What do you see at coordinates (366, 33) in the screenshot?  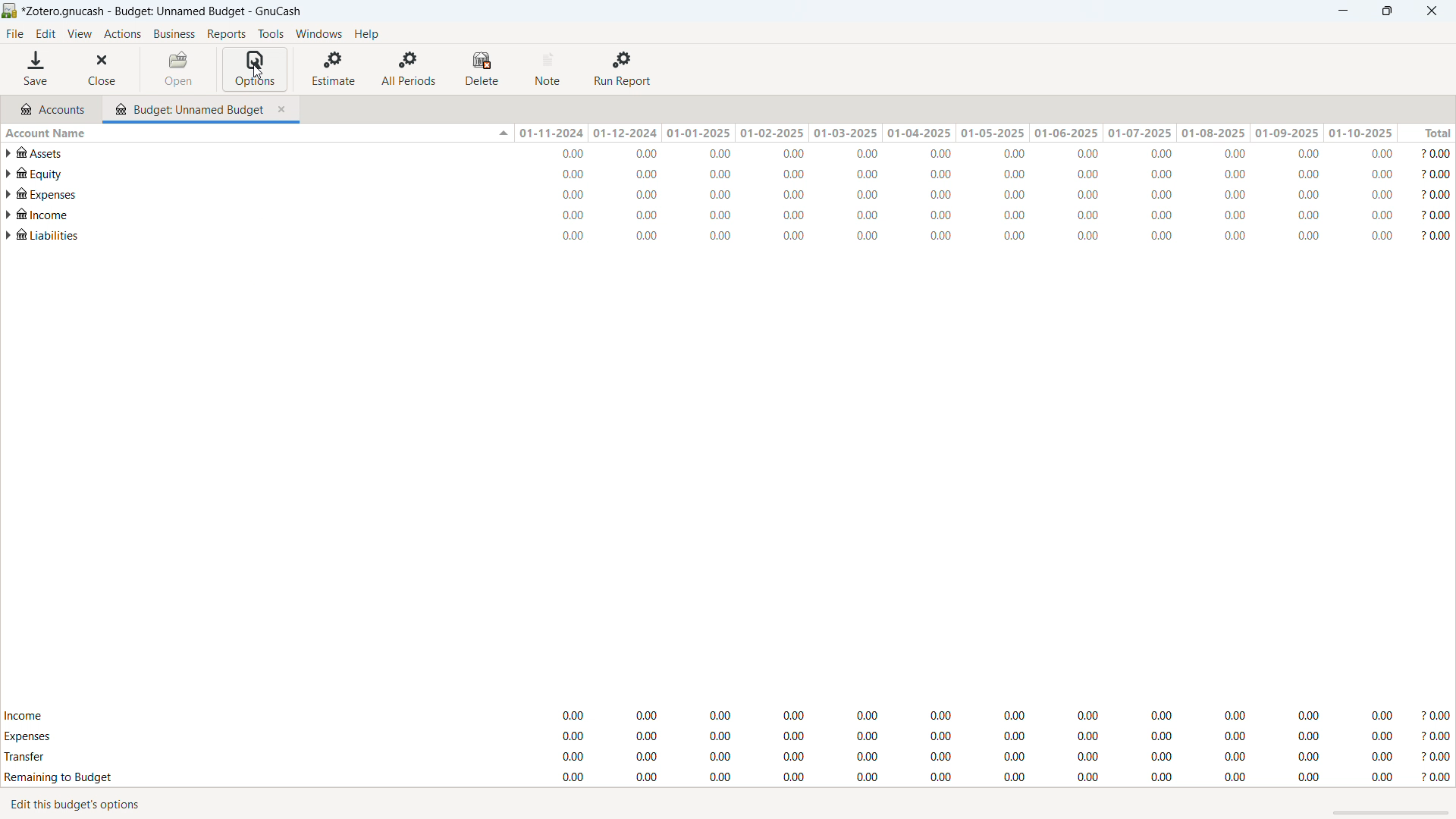 I see `help` at bounding box center [366, 33].